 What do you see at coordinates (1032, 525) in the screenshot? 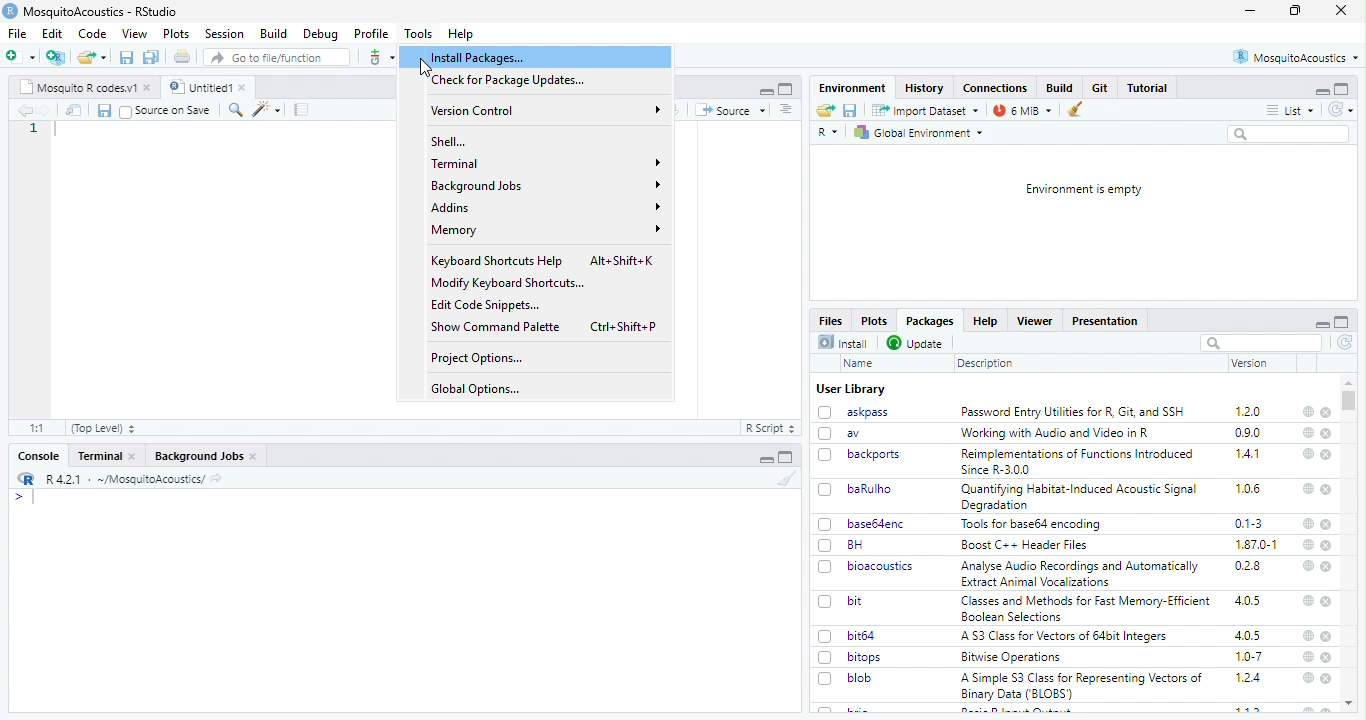
I see `Tools for base64 encoding` at bounding box center [1032, 525].